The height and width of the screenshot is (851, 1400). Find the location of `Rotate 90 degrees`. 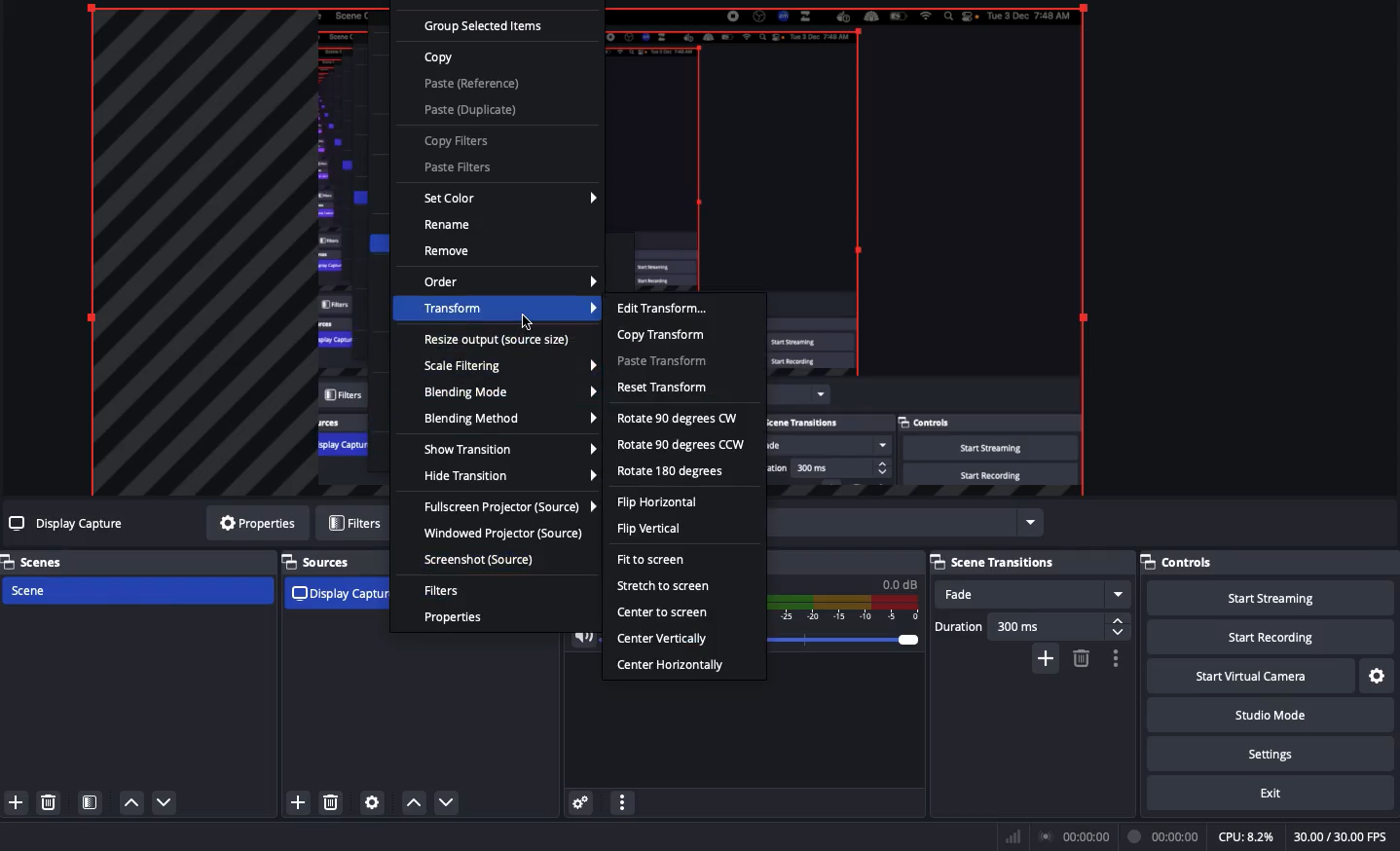

Rotate 90 degrees is located at coordinates (682, 421).